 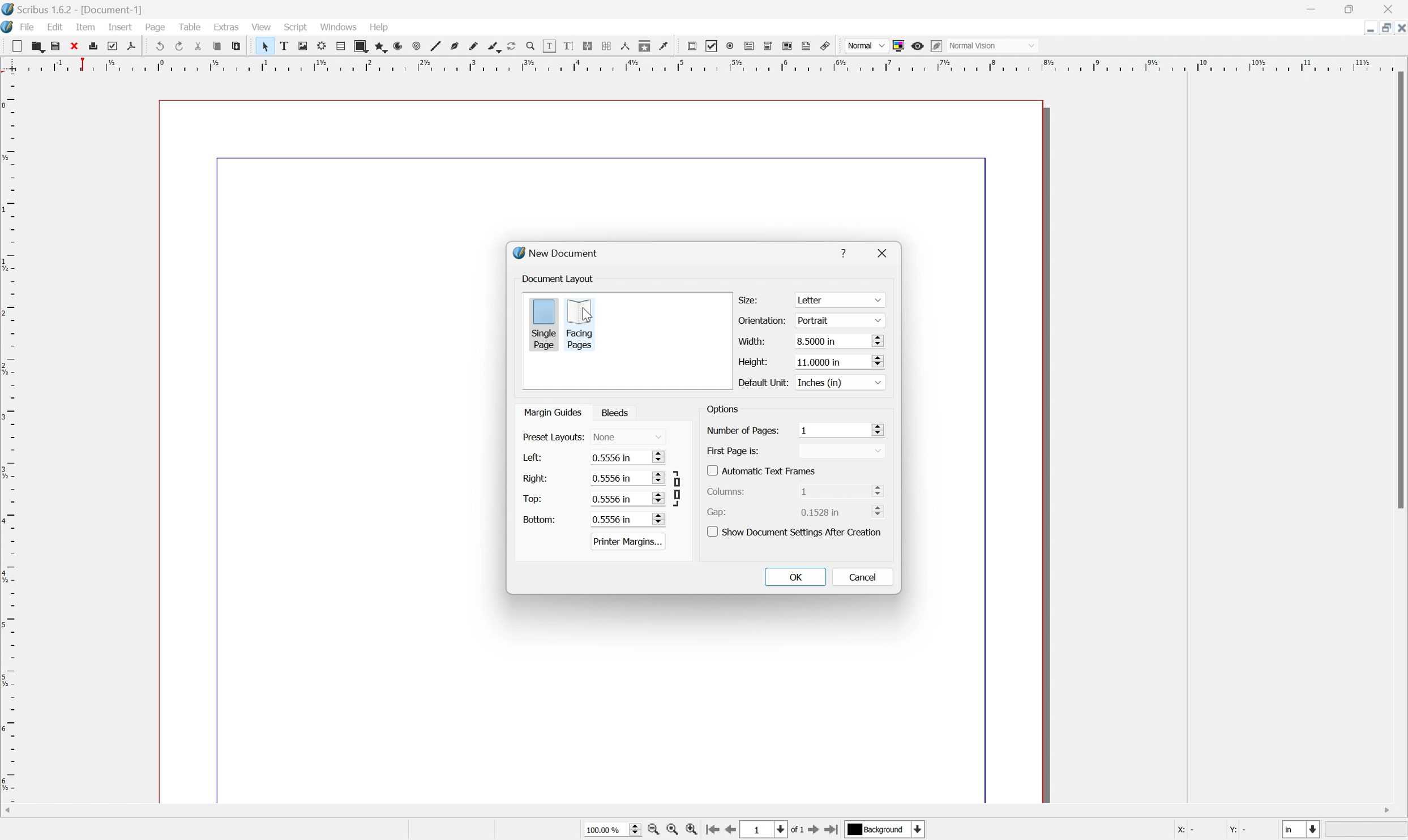 What do you see at coordinates (549, 45) in the screenshot?
I see `Edit contents of frame` at bounding box center [549, 45].